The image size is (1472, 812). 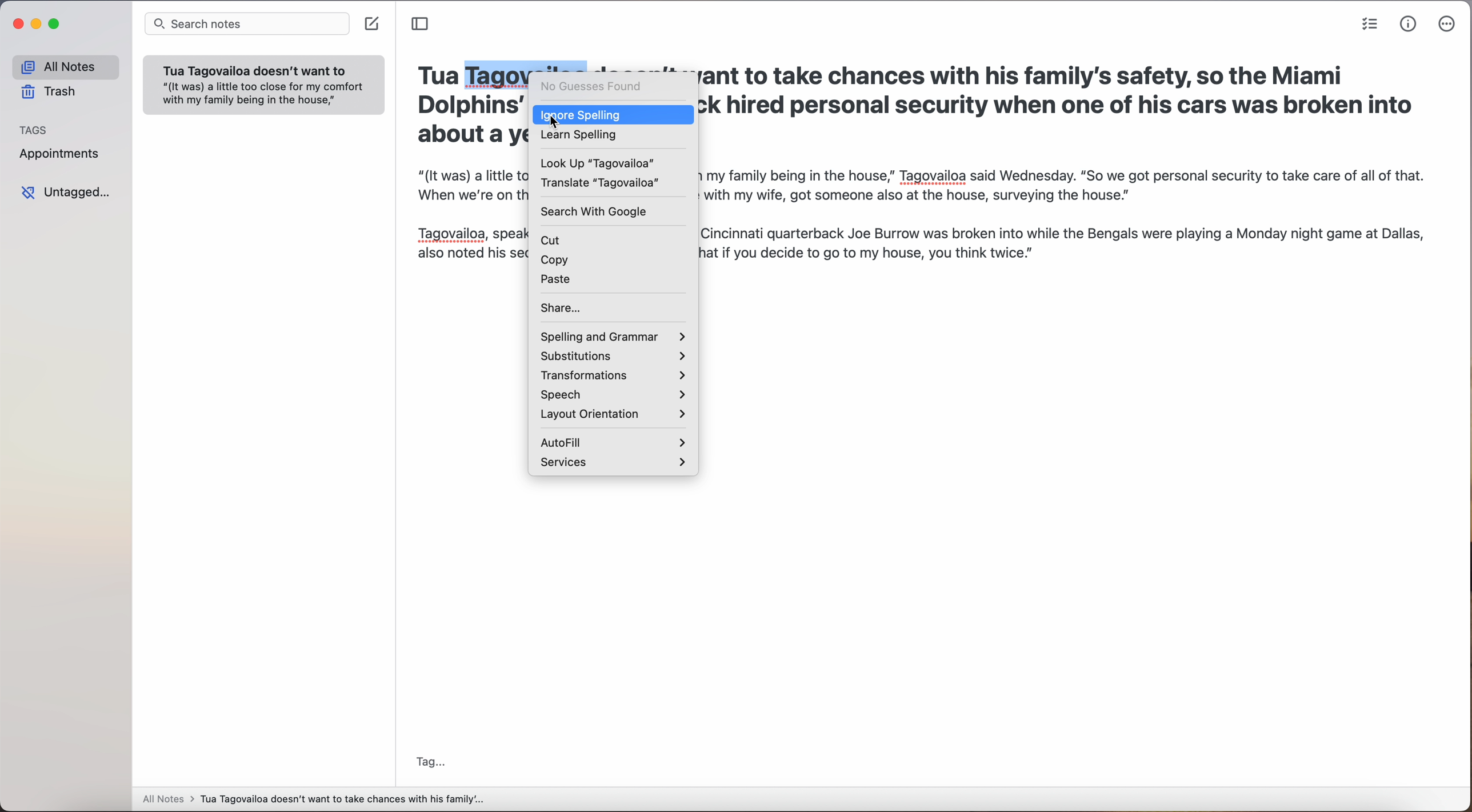 What do you see at coordinates (602, 161) in the screenshot?
I see `look up tagovailoa` at bounding box center [602, 161].